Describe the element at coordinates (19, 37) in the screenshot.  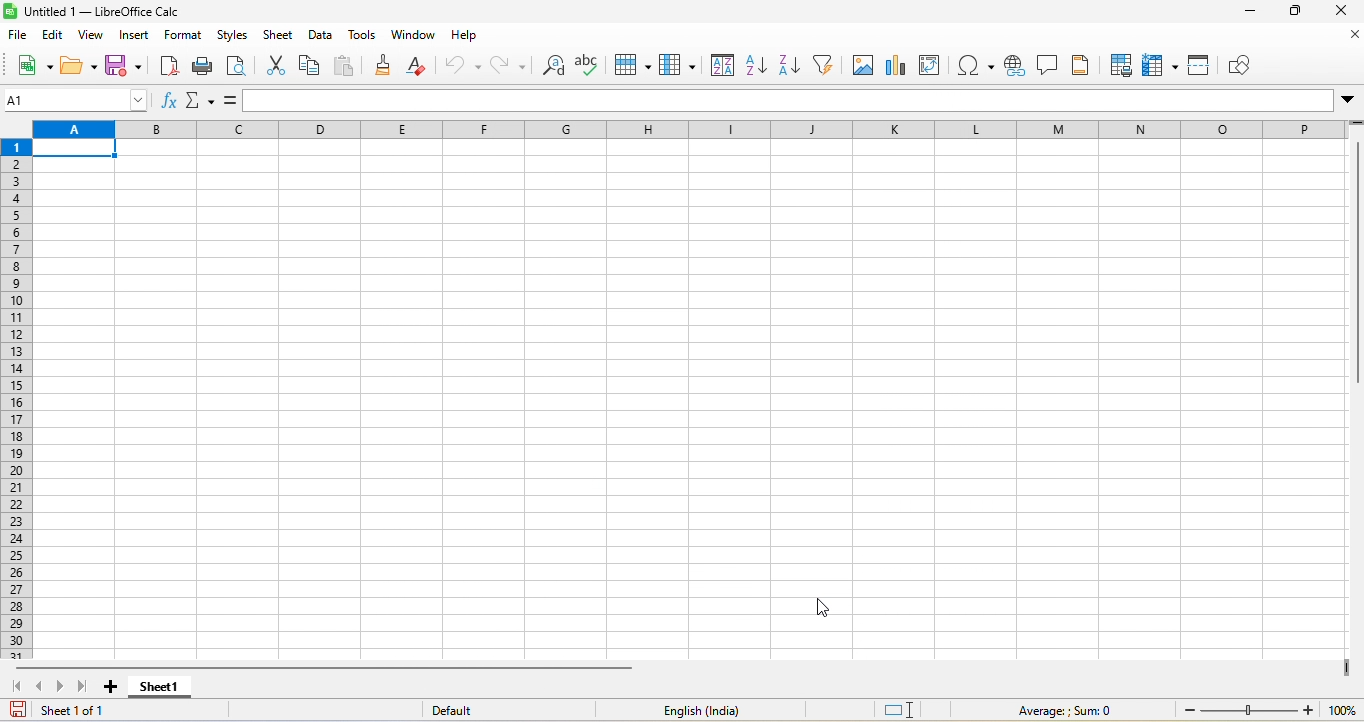
I see `file` at that location.